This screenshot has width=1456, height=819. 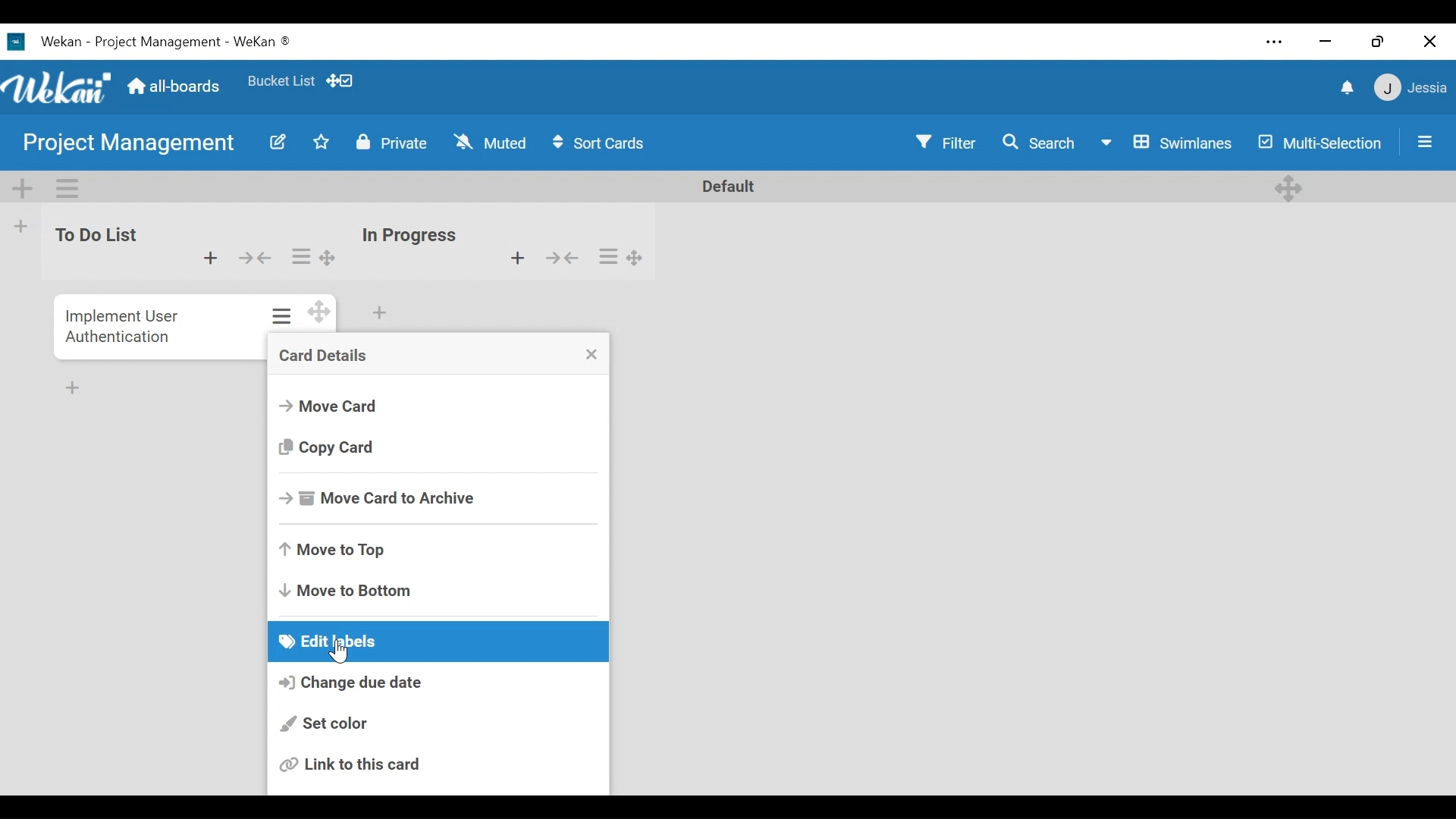 I want to click on Move to Top, so click(x=338, y=551).